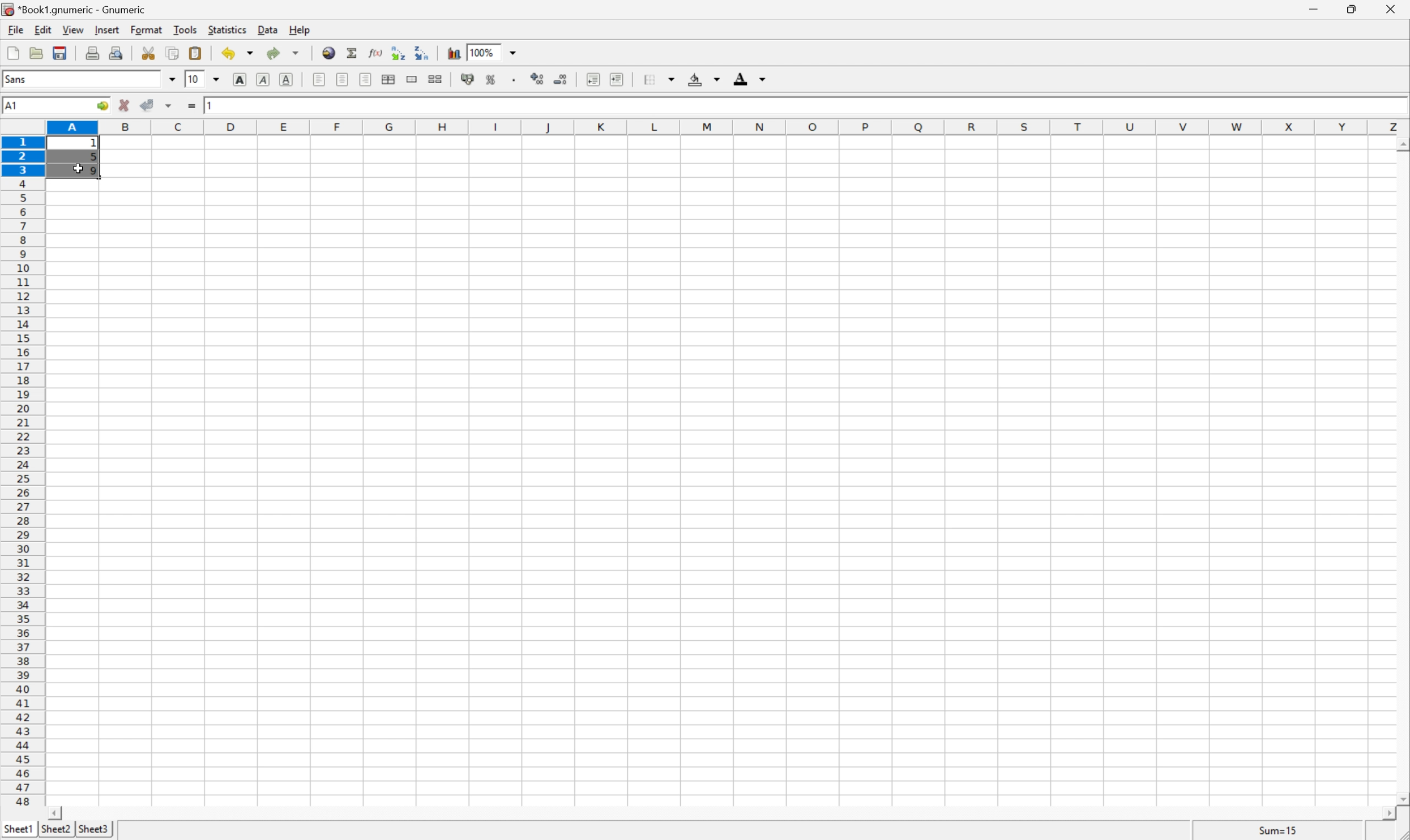 The width and height of the screenshot is (1410, 840). I want to click on bold, so click(242, 80).